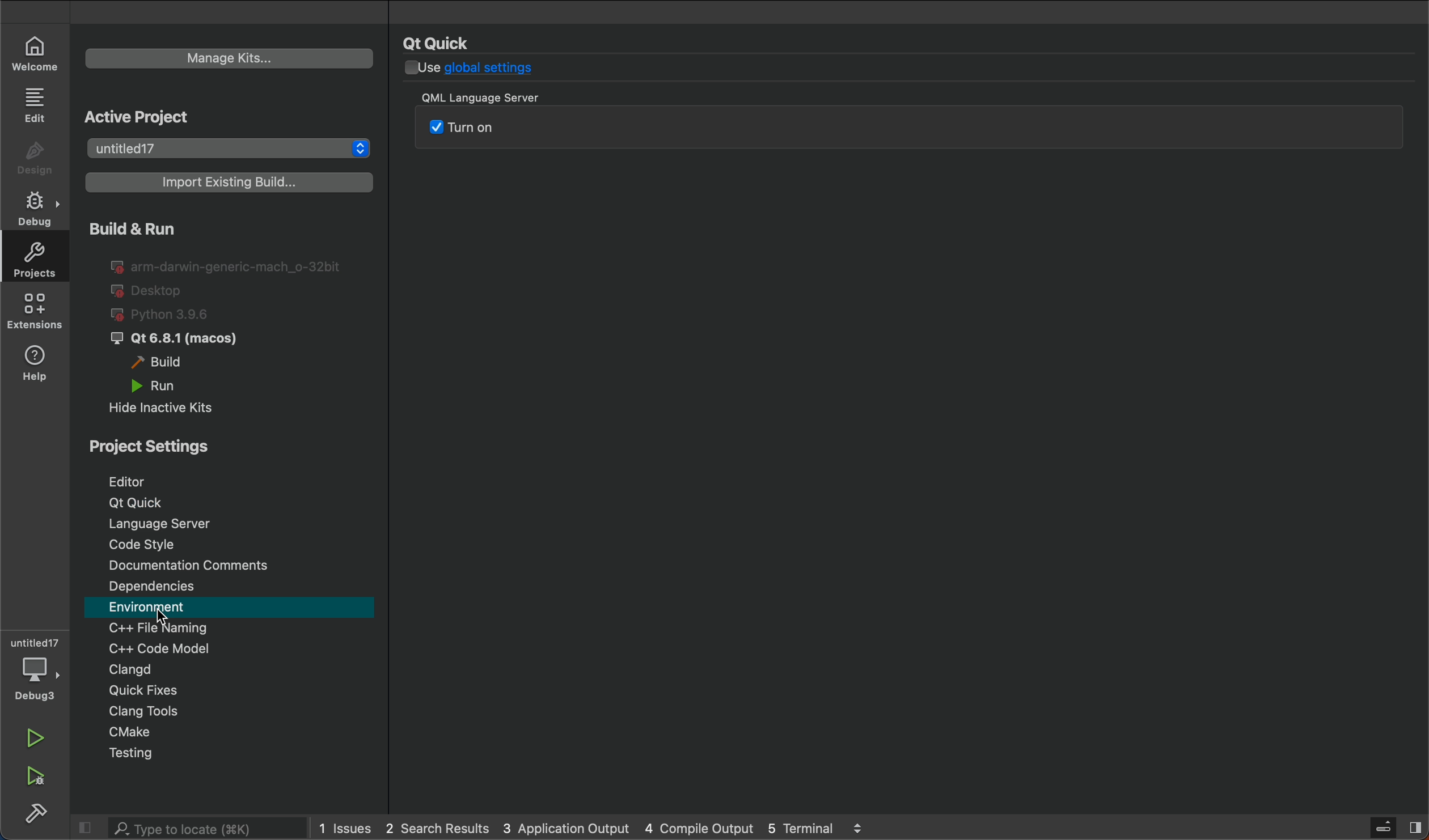 This screenshot has height=840, width=1429. What do you see at coordinates (36, 366) in the screenshot?
I see `help` at bounding box center [36, 366].